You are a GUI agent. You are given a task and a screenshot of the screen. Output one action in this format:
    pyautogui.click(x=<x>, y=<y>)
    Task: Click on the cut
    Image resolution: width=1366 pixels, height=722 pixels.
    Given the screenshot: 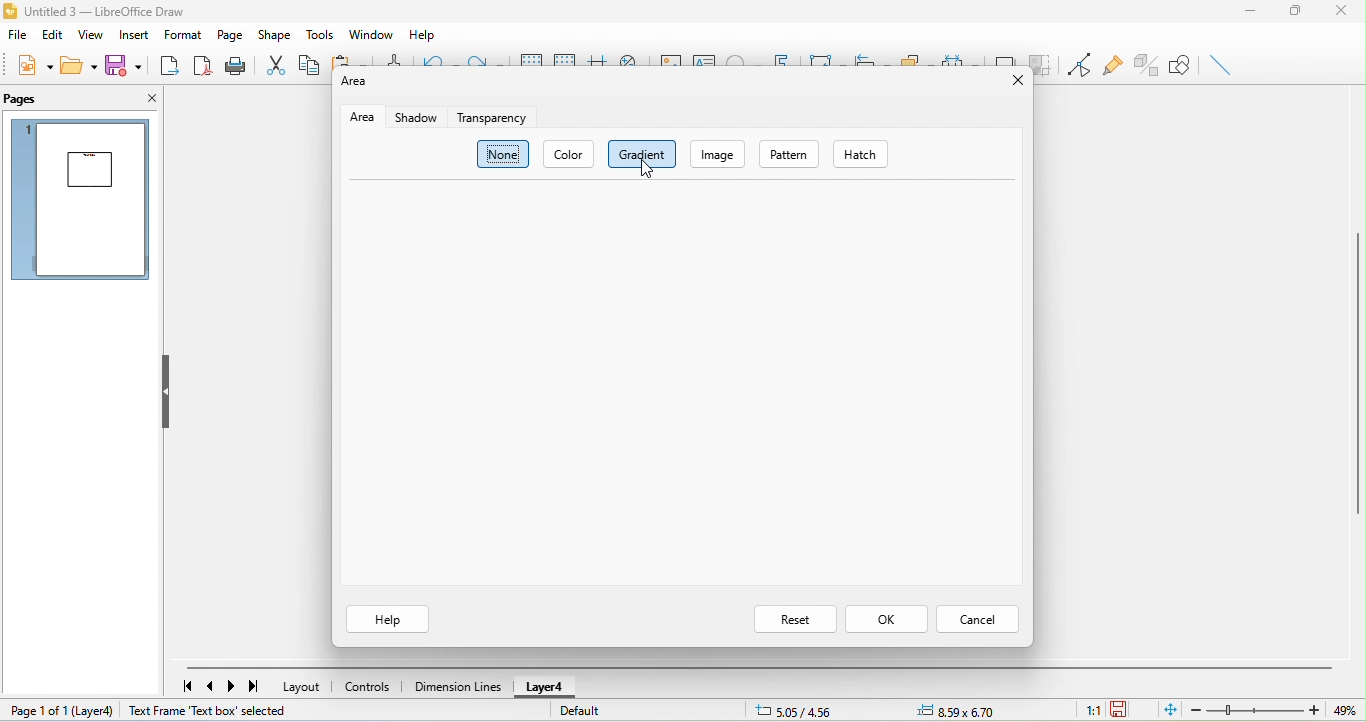 What is the action you would take?
    pyautogui.click(x=277, y=66)
    